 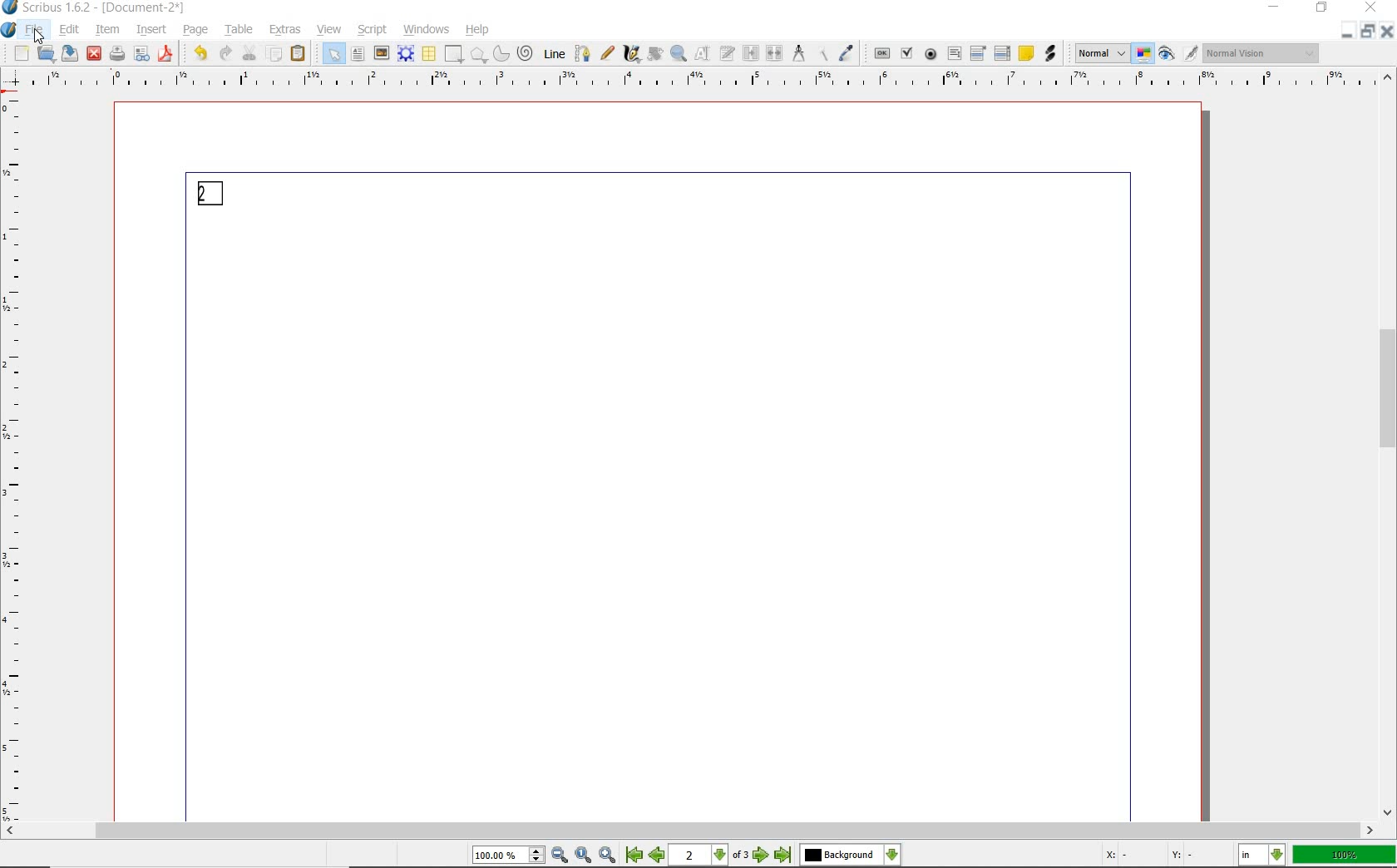 What do you see at coordinates (428, 54) in the screenshot?
I see `table` at bounding box center [428, 54].